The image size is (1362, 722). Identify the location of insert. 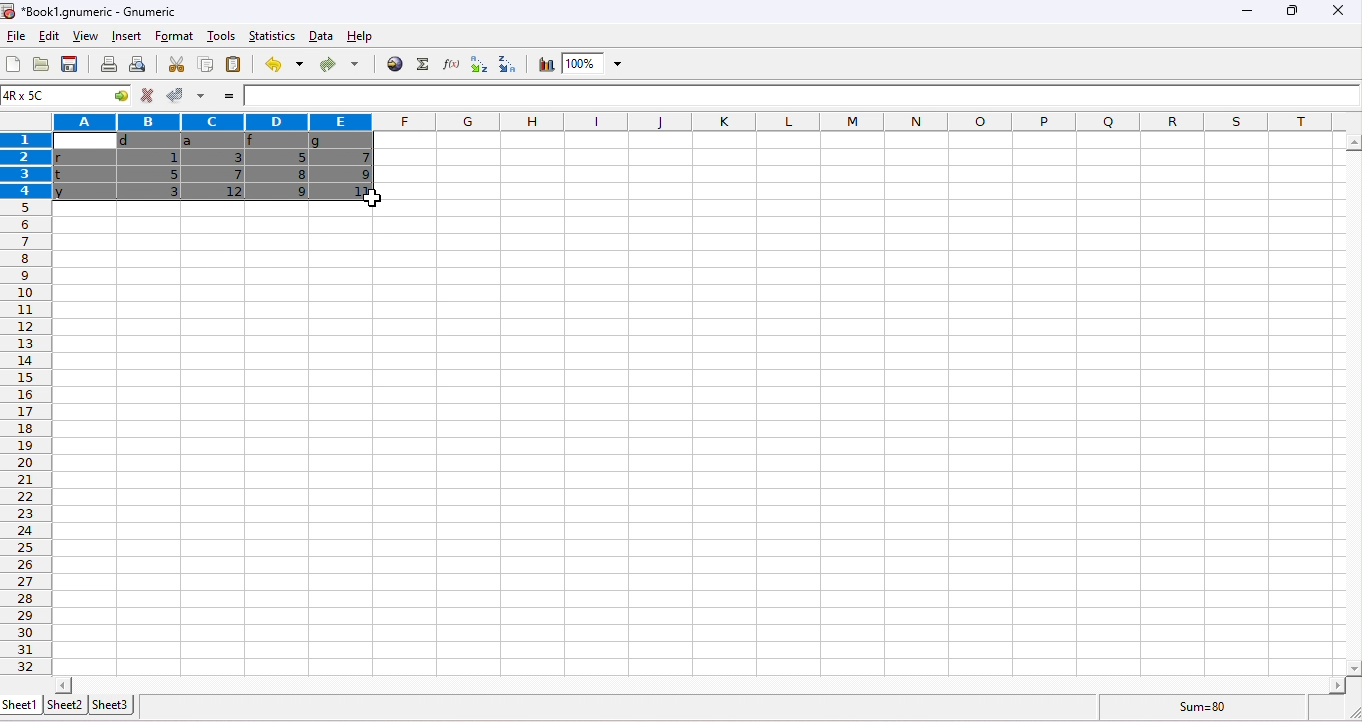
(125, 36).